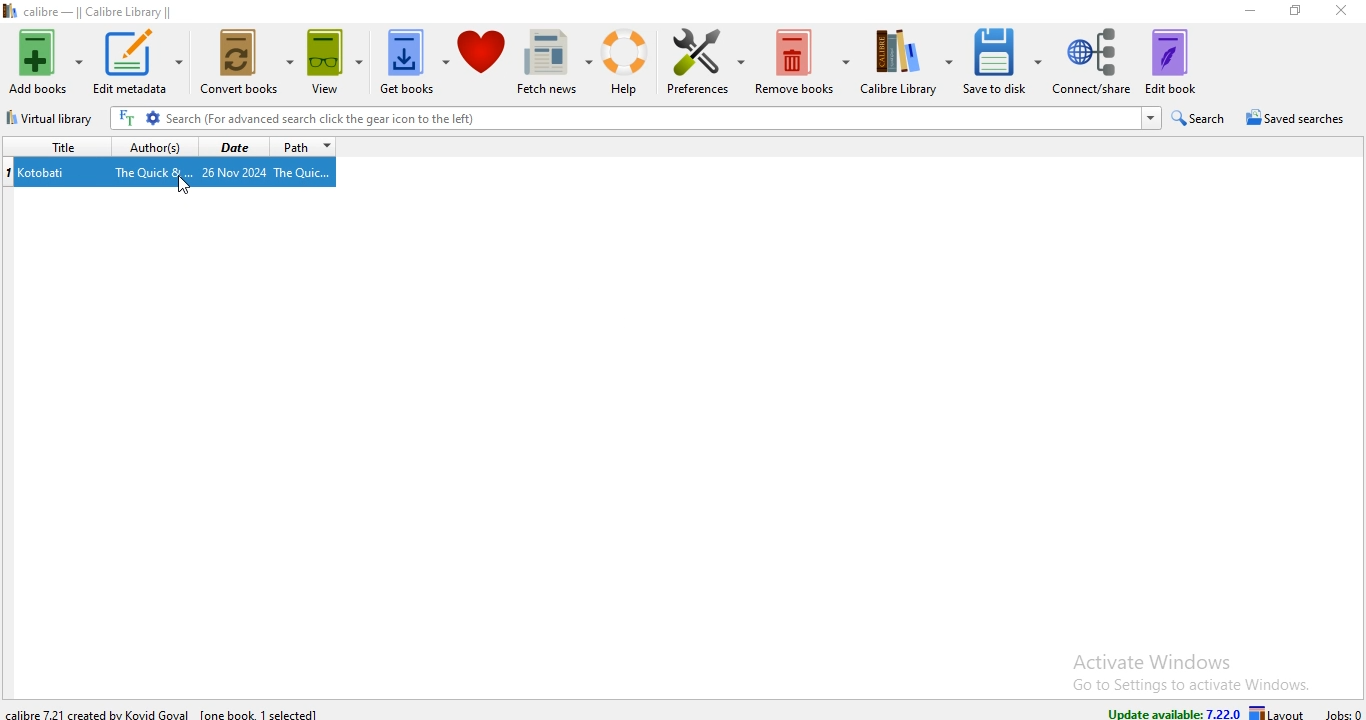  I want to click on minimise, so click(1242, 13).